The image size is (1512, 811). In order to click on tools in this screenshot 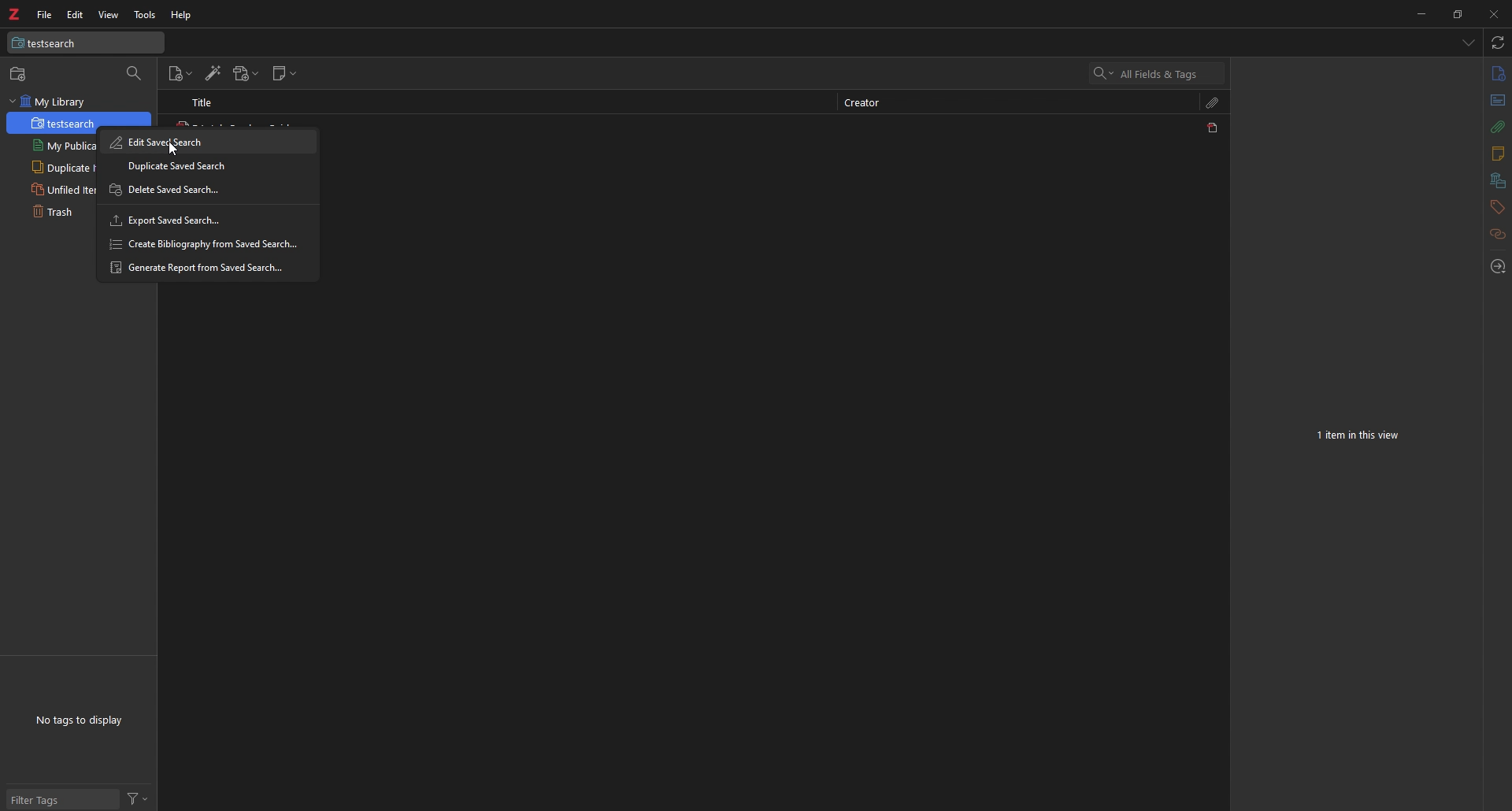, I will do `click(146, 15)`.